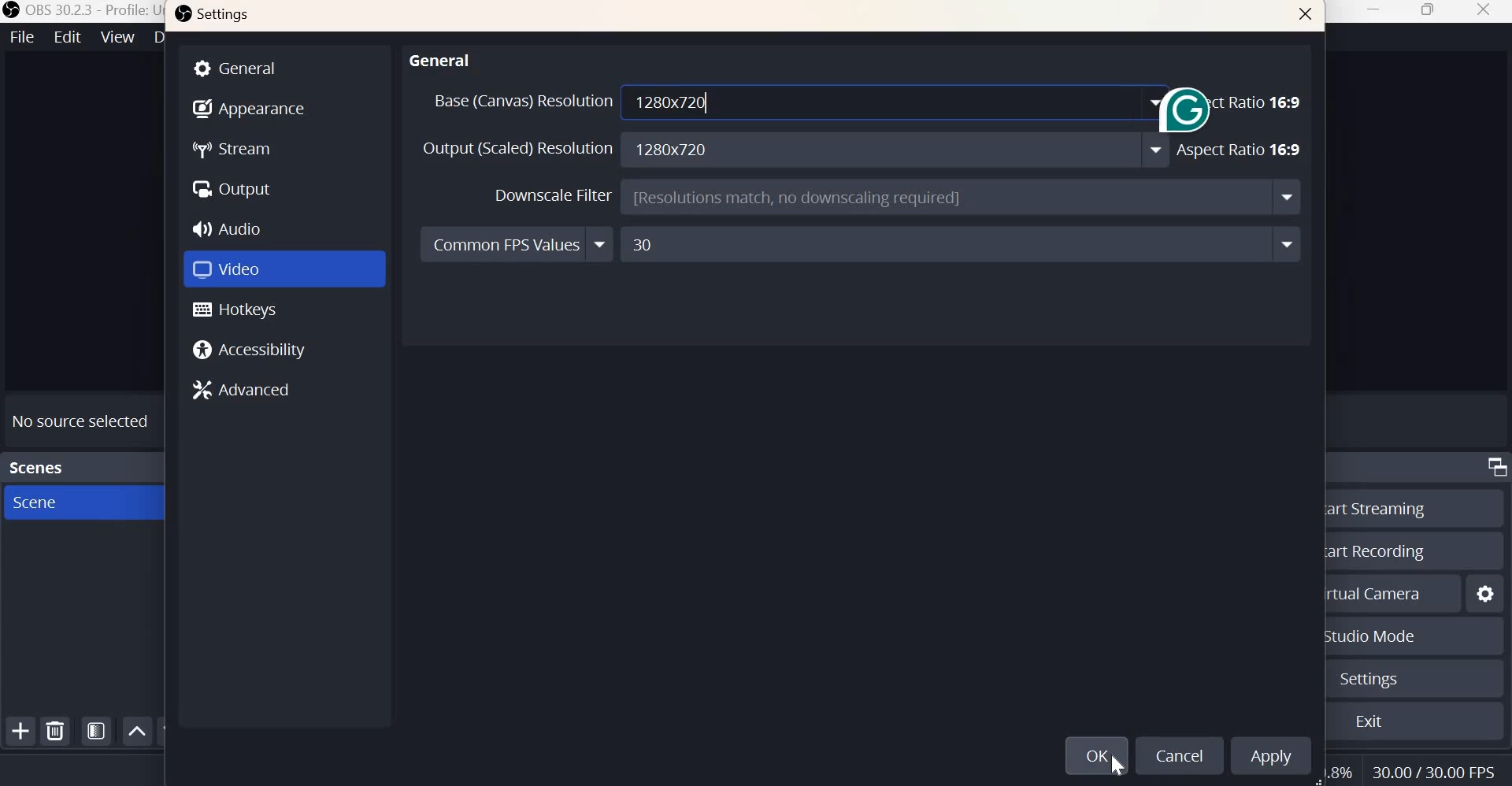  I want to click on remove selected scene , so click(56, 732).